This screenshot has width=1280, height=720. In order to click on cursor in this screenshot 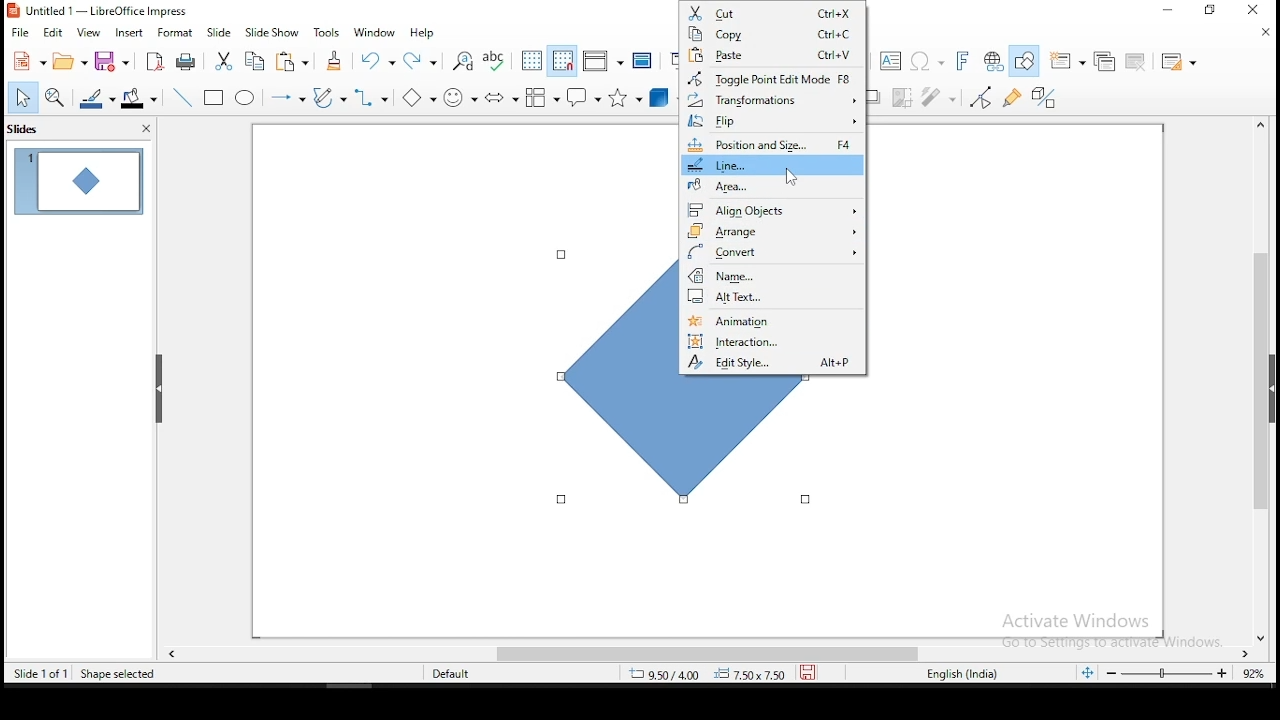, I will do `click(790, 177)`.